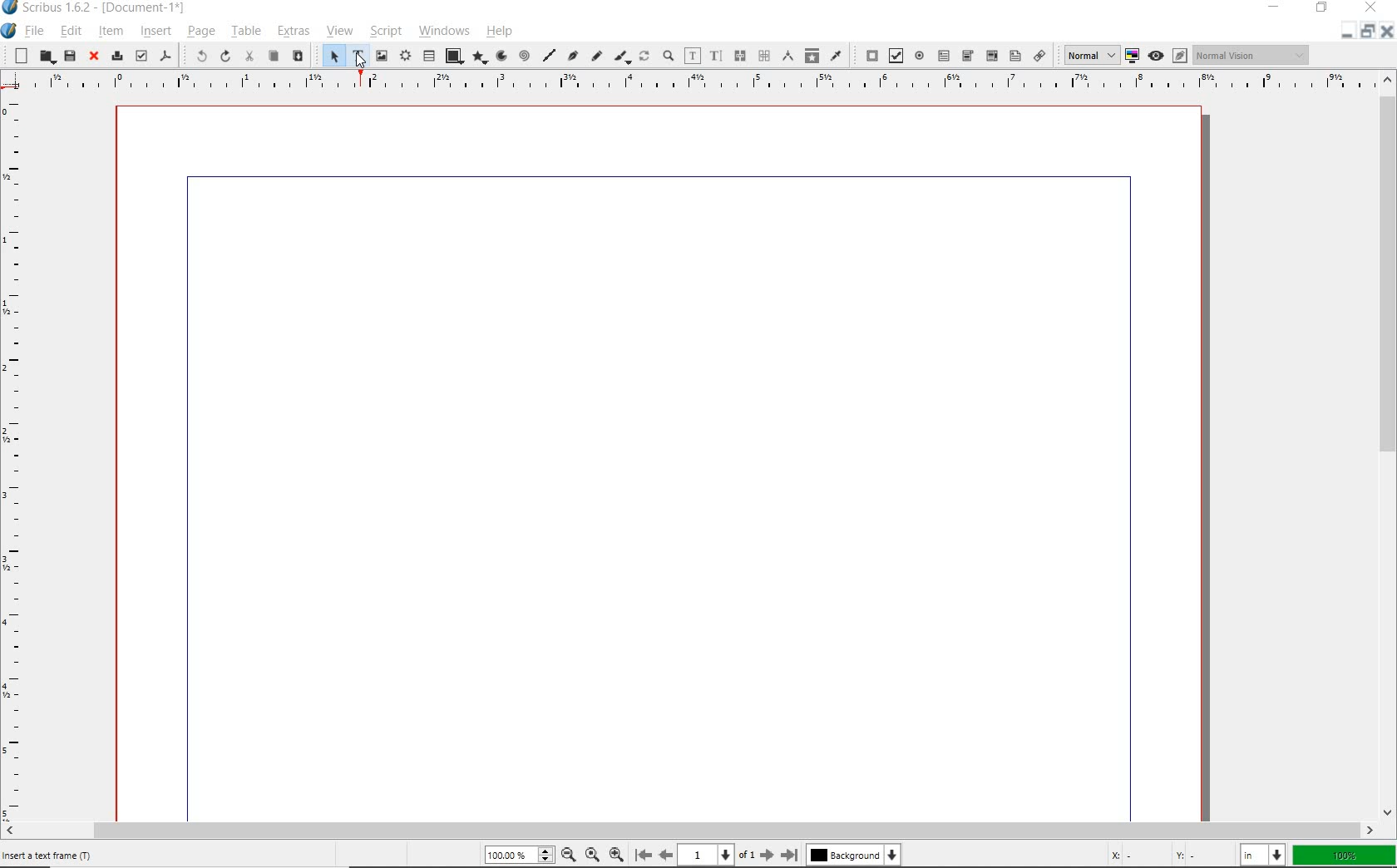 This screenshot has width=1397, height=868. What do you see at coordinates (698, 81) in the screenshot?
I see `Horizontal Margins` at bounding box center [698, 81].